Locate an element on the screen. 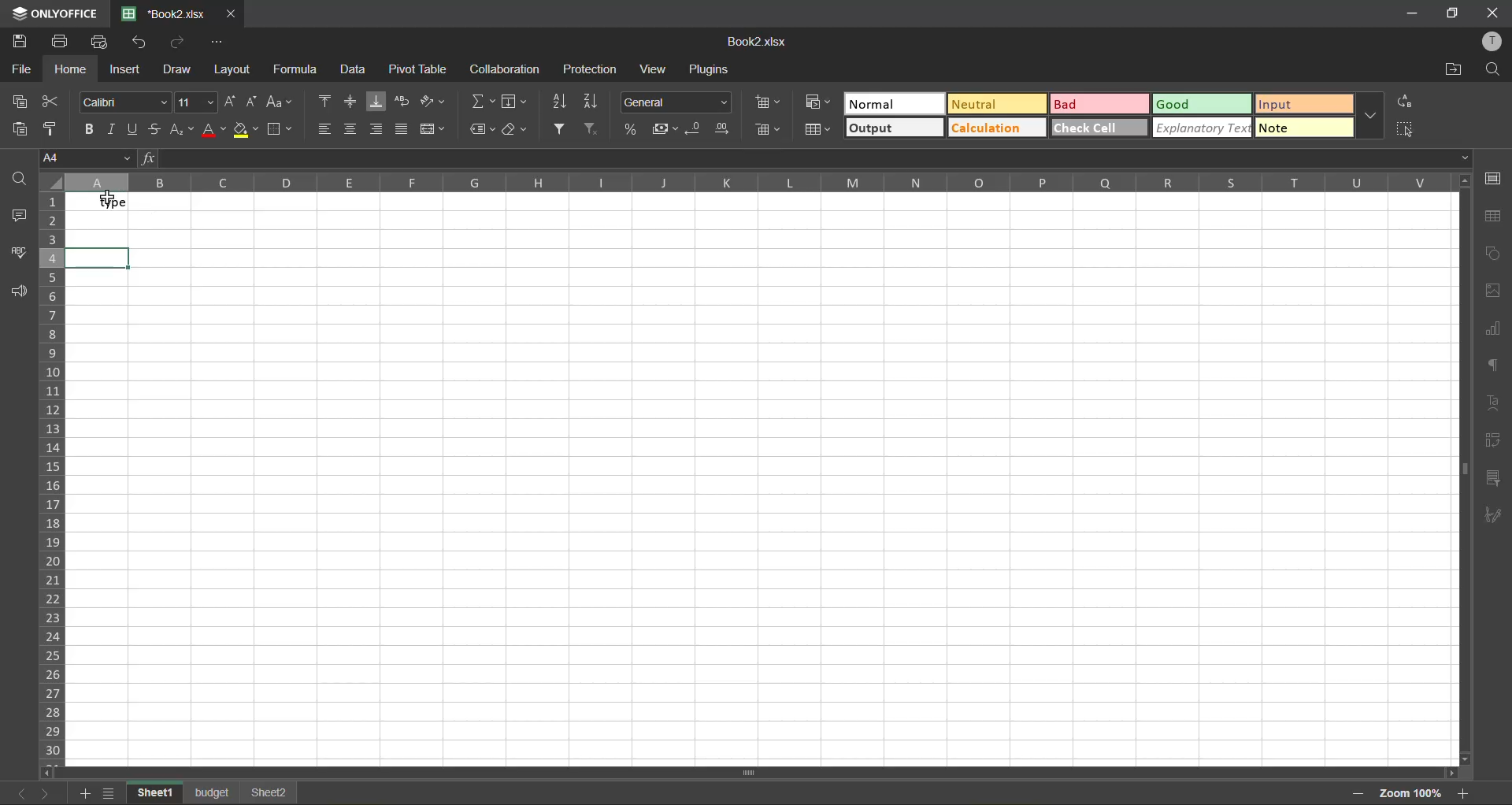 The image size is (1512, 805). format as table is located at coordinates (818, 131).